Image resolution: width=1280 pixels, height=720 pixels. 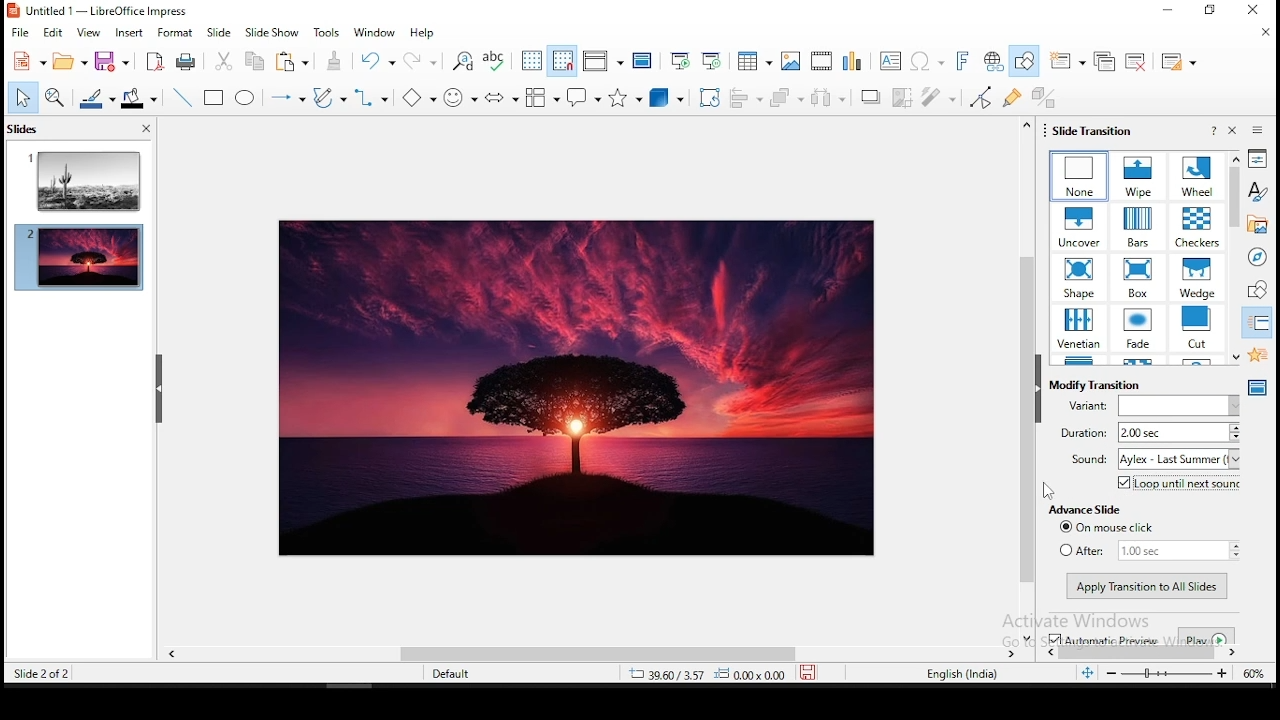 What do you see at coordinates (1257, 387) in the screenshot?
I see `master slides` at bounding box center [1257, 387].